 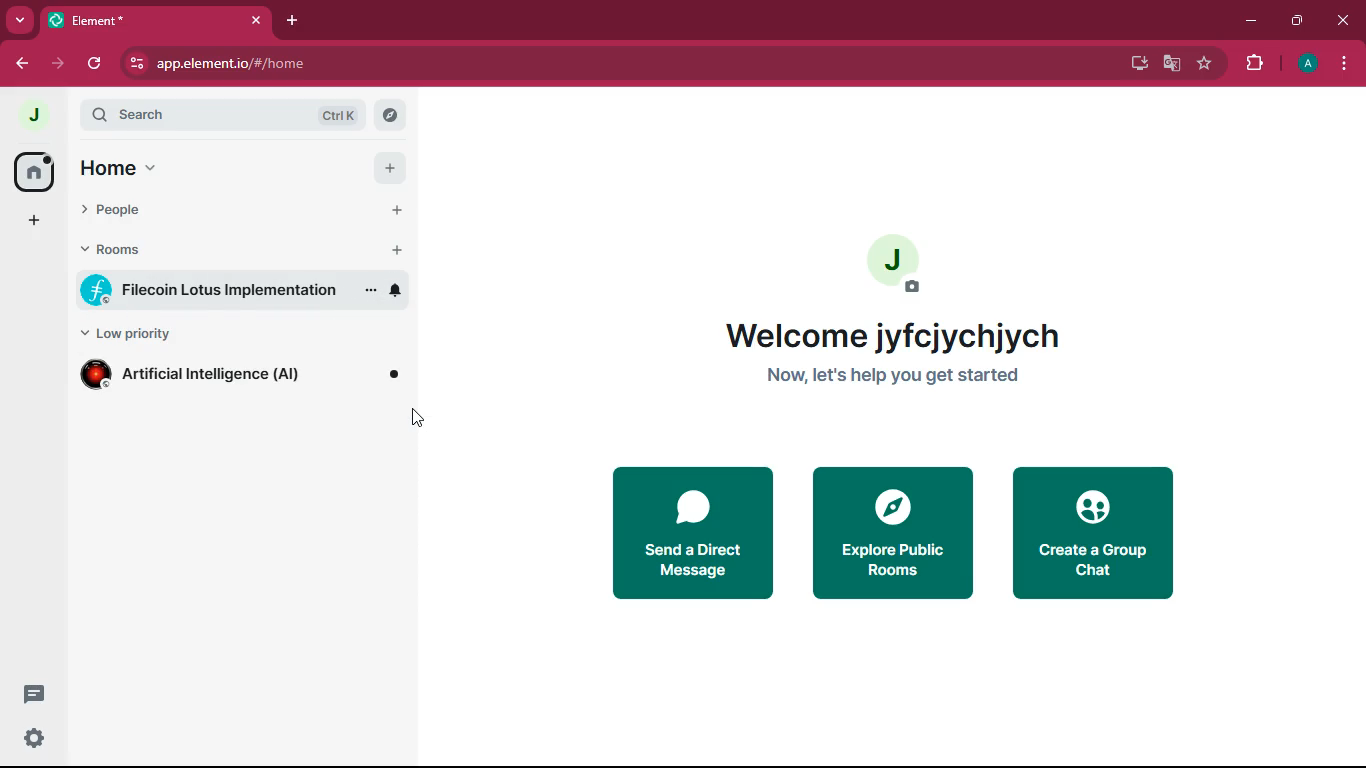 What do you see at coordinates (134, 213) in the screenshot?
I see `people` at bounding box center [134, 213].